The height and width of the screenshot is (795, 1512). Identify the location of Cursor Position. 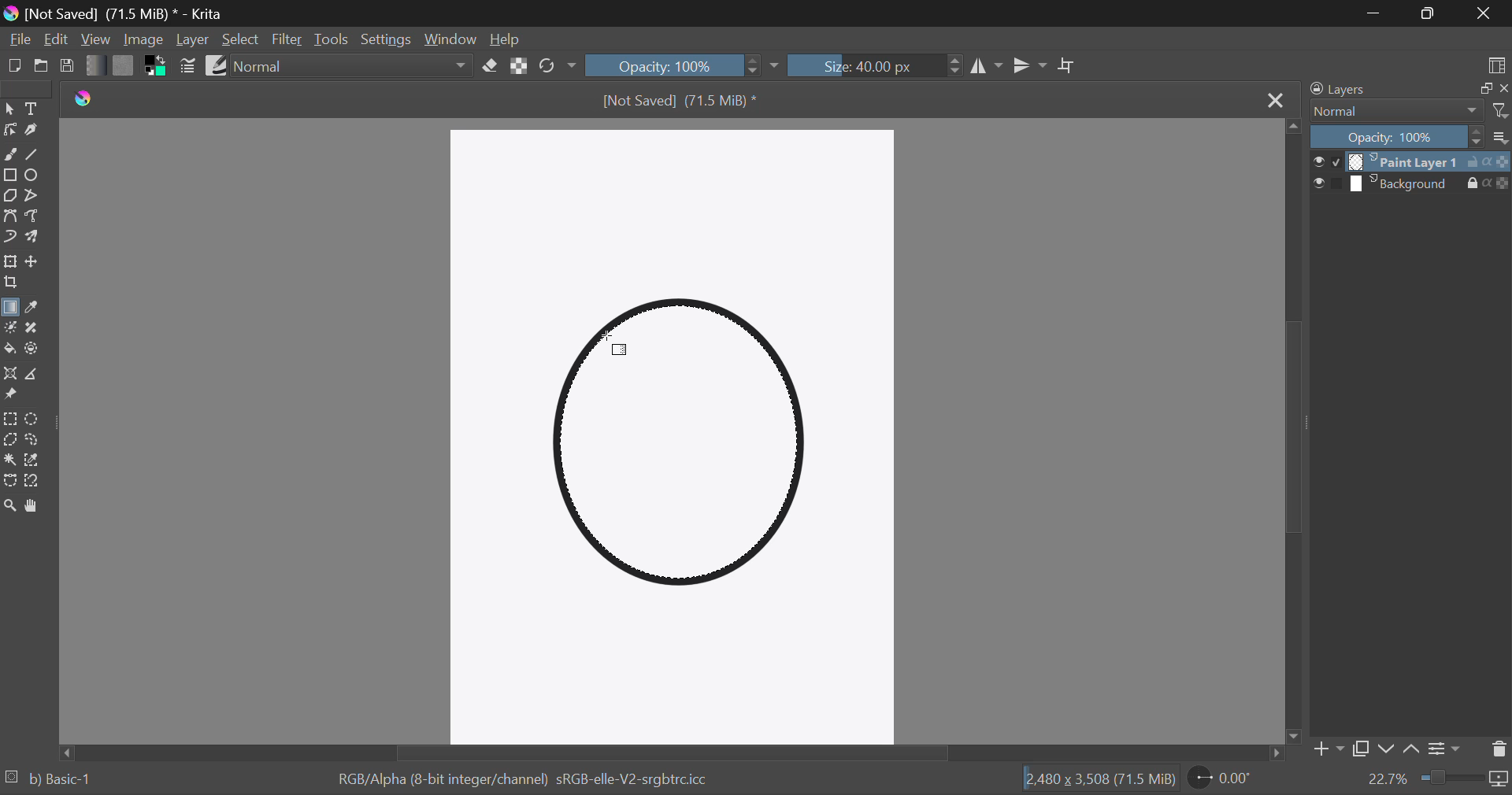
(617, 346).